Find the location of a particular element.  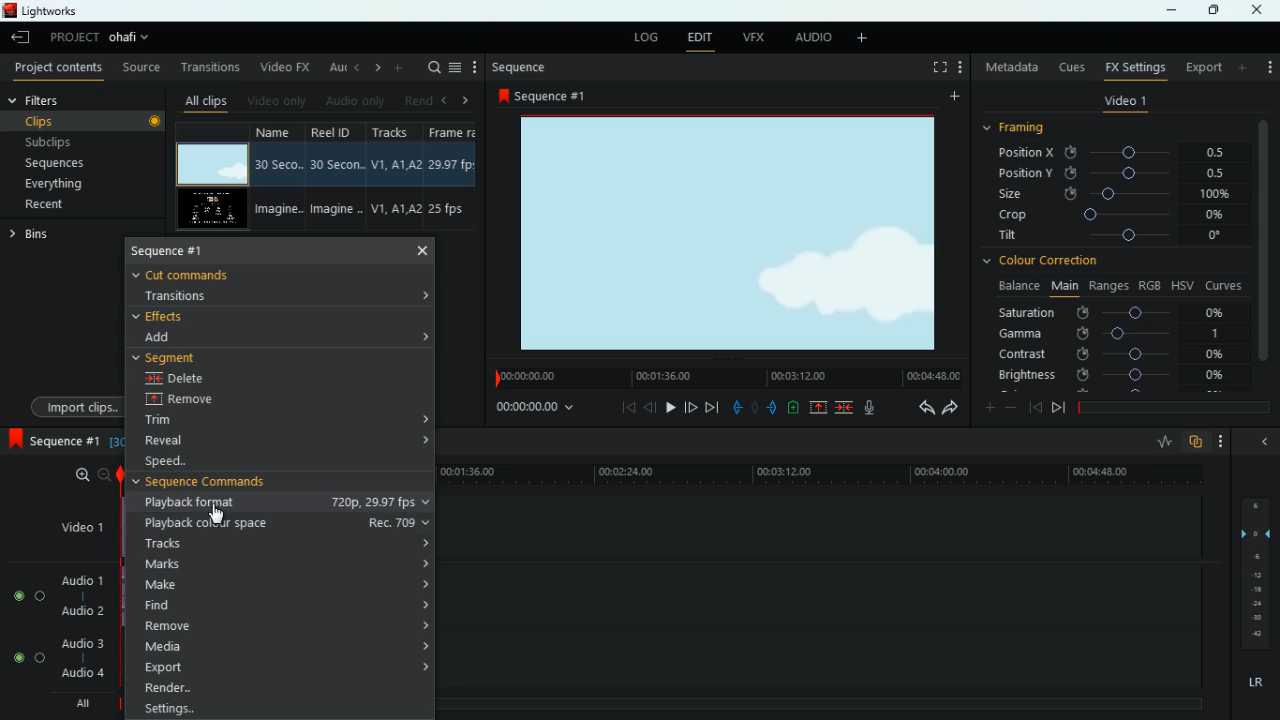

layers is located at coordinates (1252, 576).